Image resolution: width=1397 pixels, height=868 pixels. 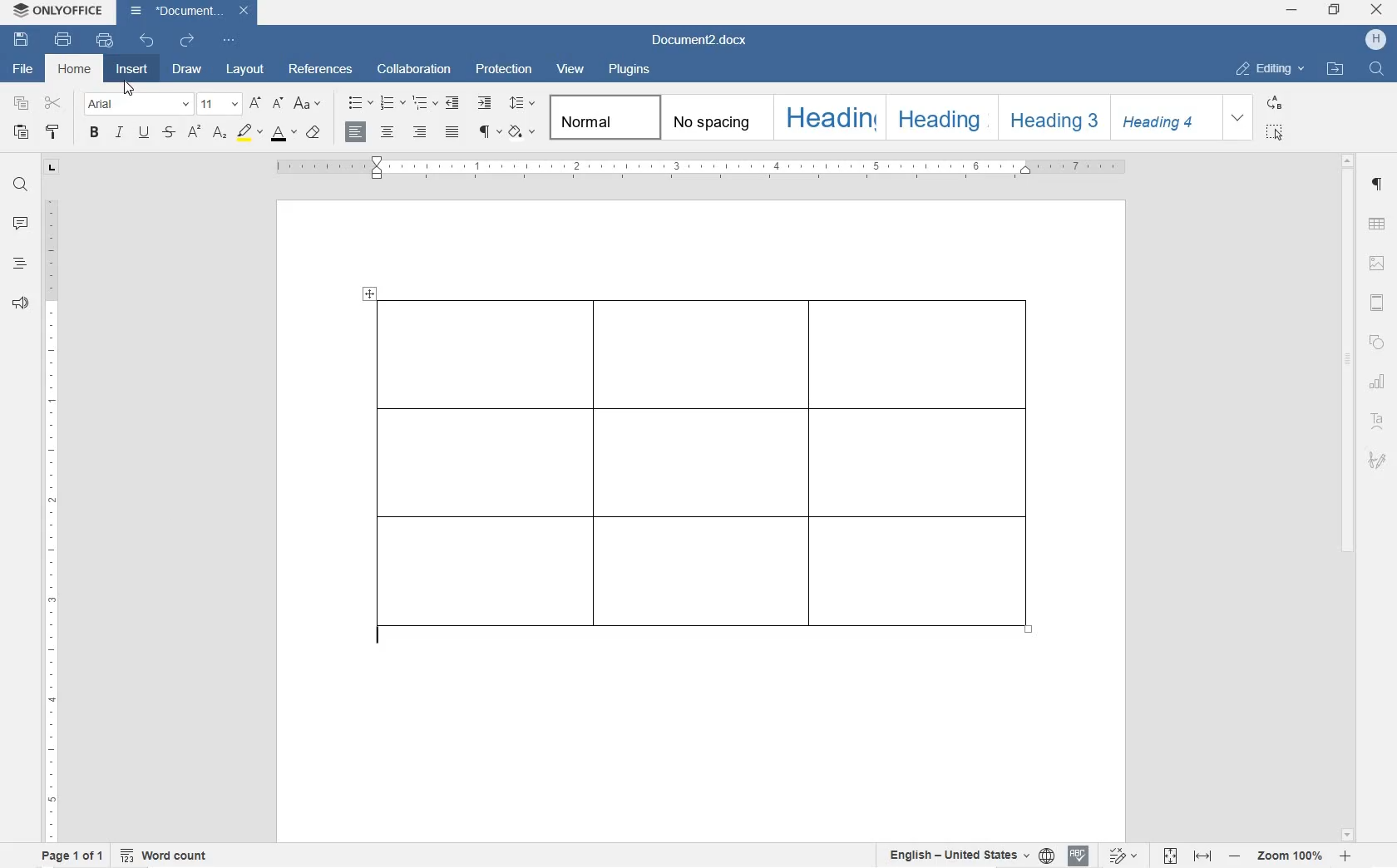 I want to click on minimize, so click(x=1291, y=10).